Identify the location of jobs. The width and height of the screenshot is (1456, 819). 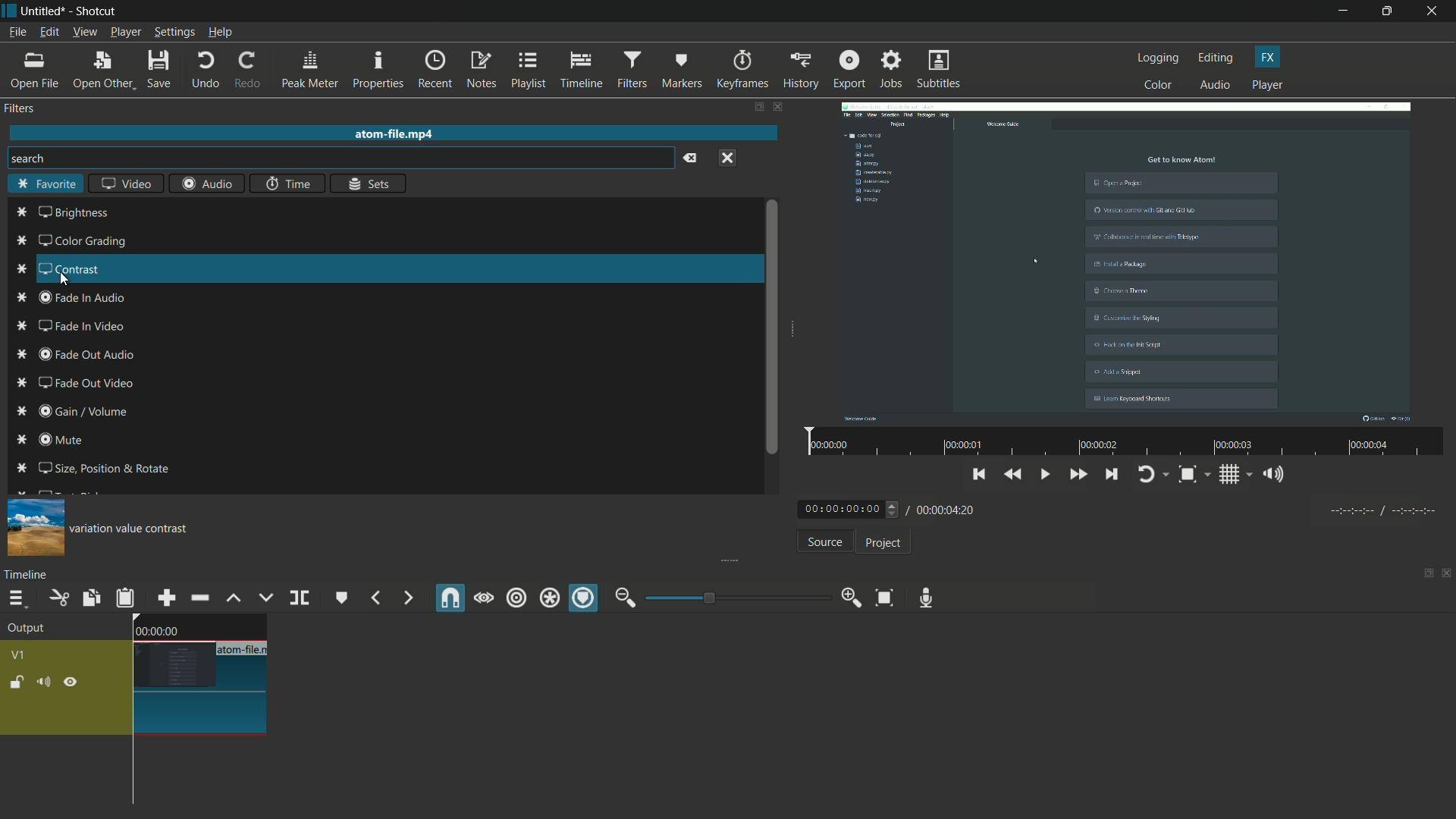
(891, 70).